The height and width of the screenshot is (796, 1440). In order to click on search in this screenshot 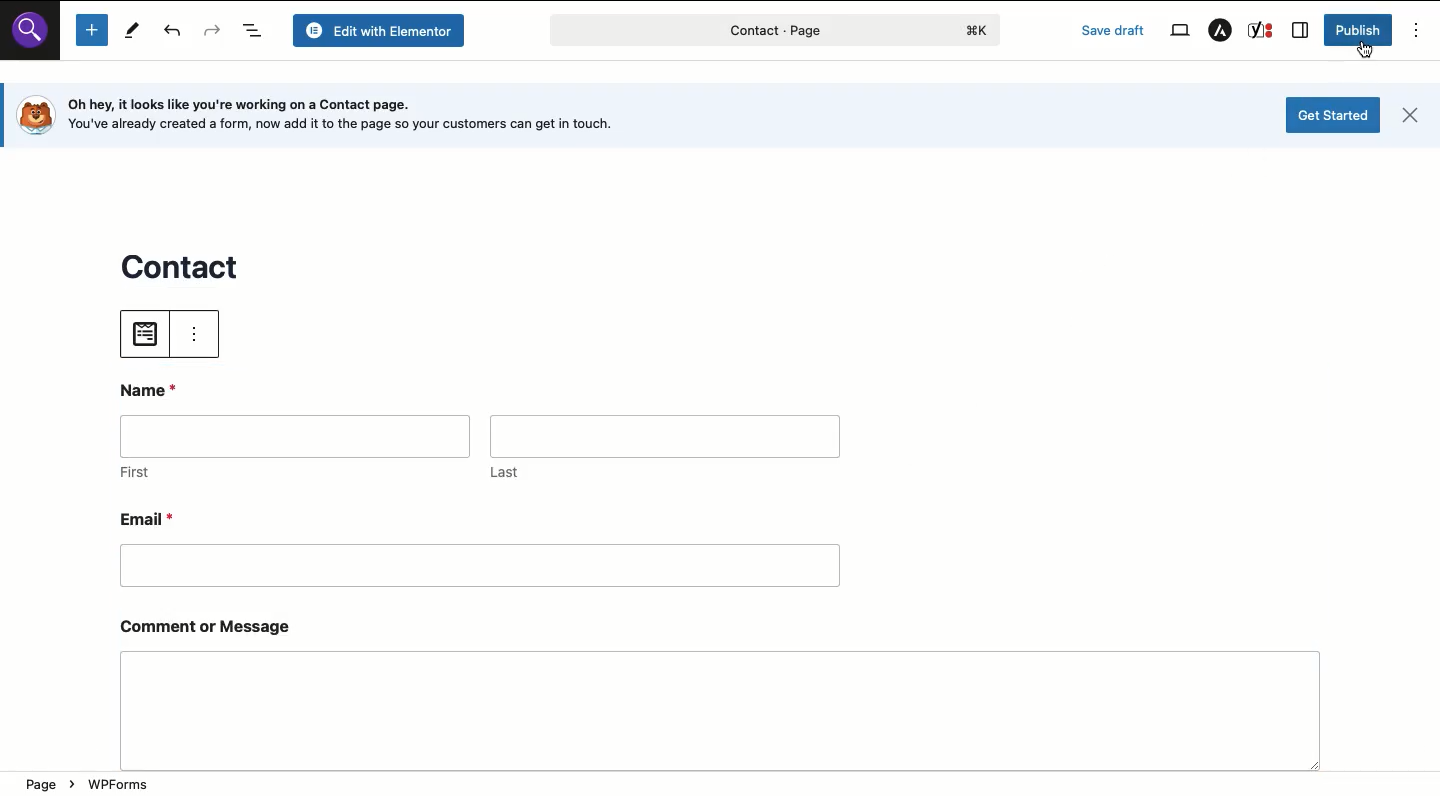, I will do `click(36, 38)`.